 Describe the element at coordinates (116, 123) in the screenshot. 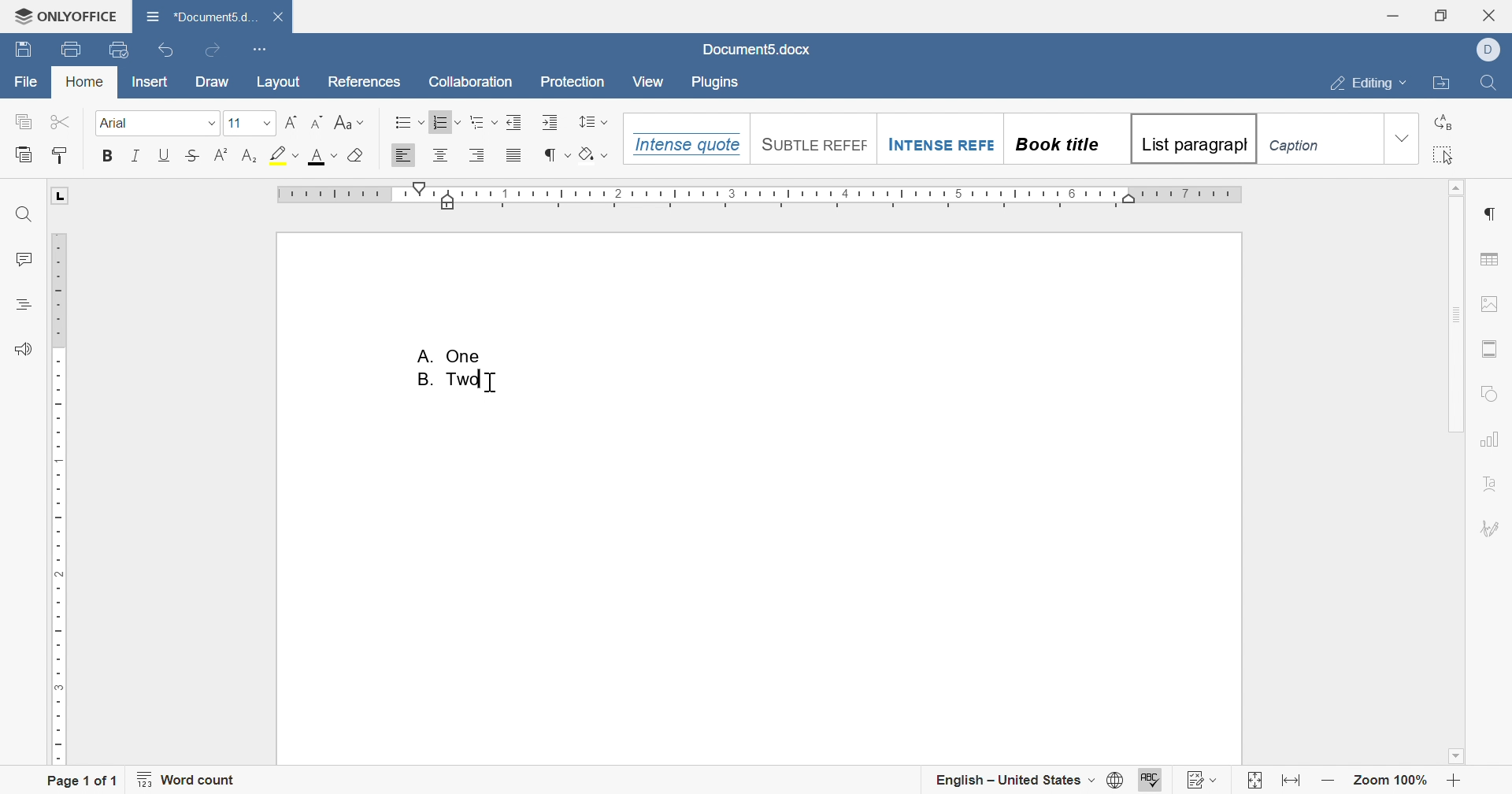

I see `Font` at that location.